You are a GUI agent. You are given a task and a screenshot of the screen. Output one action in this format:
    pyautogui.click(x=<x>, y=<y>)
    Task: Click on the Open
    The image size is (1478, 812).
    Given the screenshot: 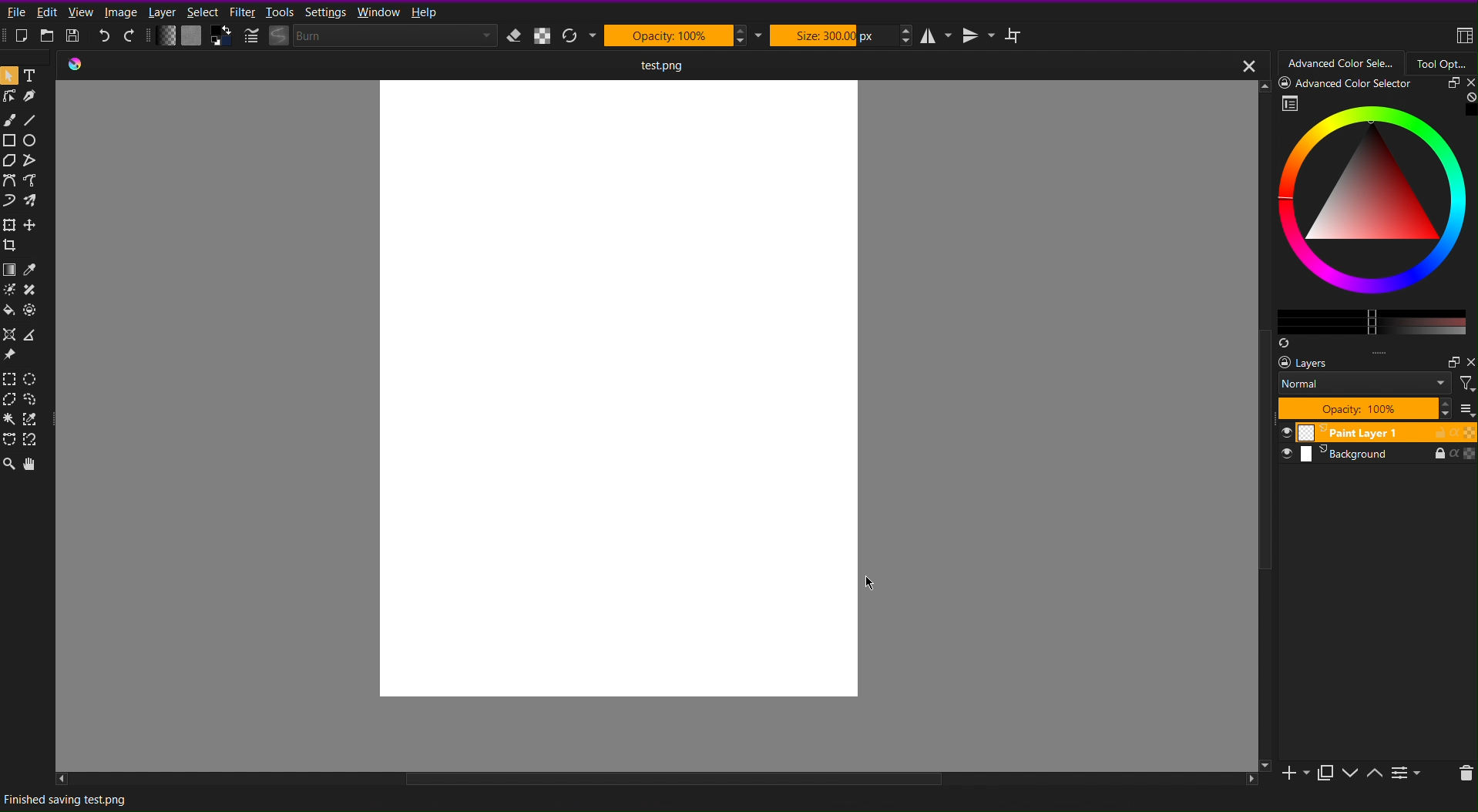 What is the action you would take?
    pyautogui.click(x=49, y=37)
    